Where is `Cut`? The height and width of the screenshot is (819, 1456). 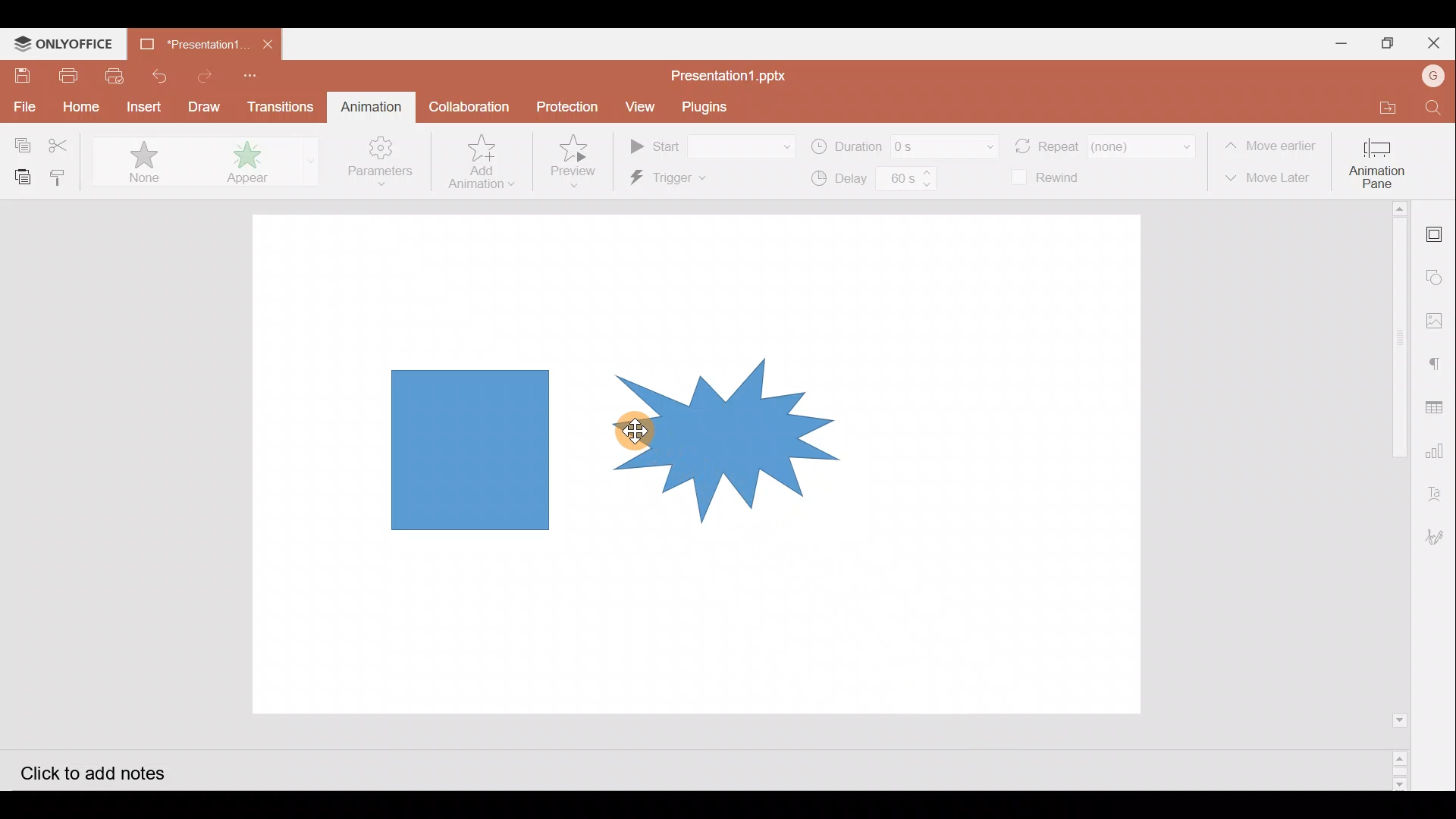
Cut is located at coordinates (64, 143).